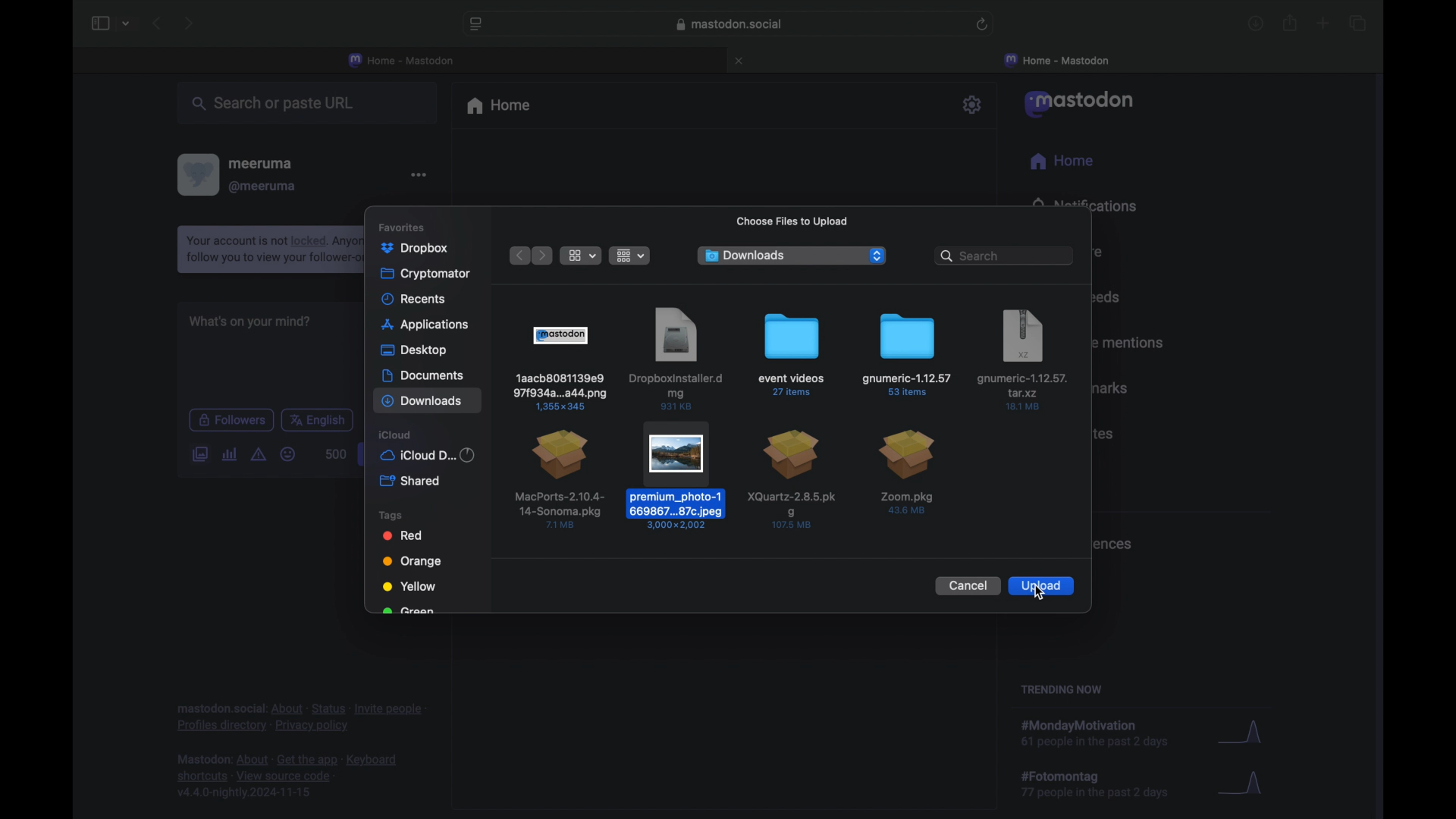  Describe the element at coordinates (402, 59) in the screenshot. I see `home - mastodon` at that location.